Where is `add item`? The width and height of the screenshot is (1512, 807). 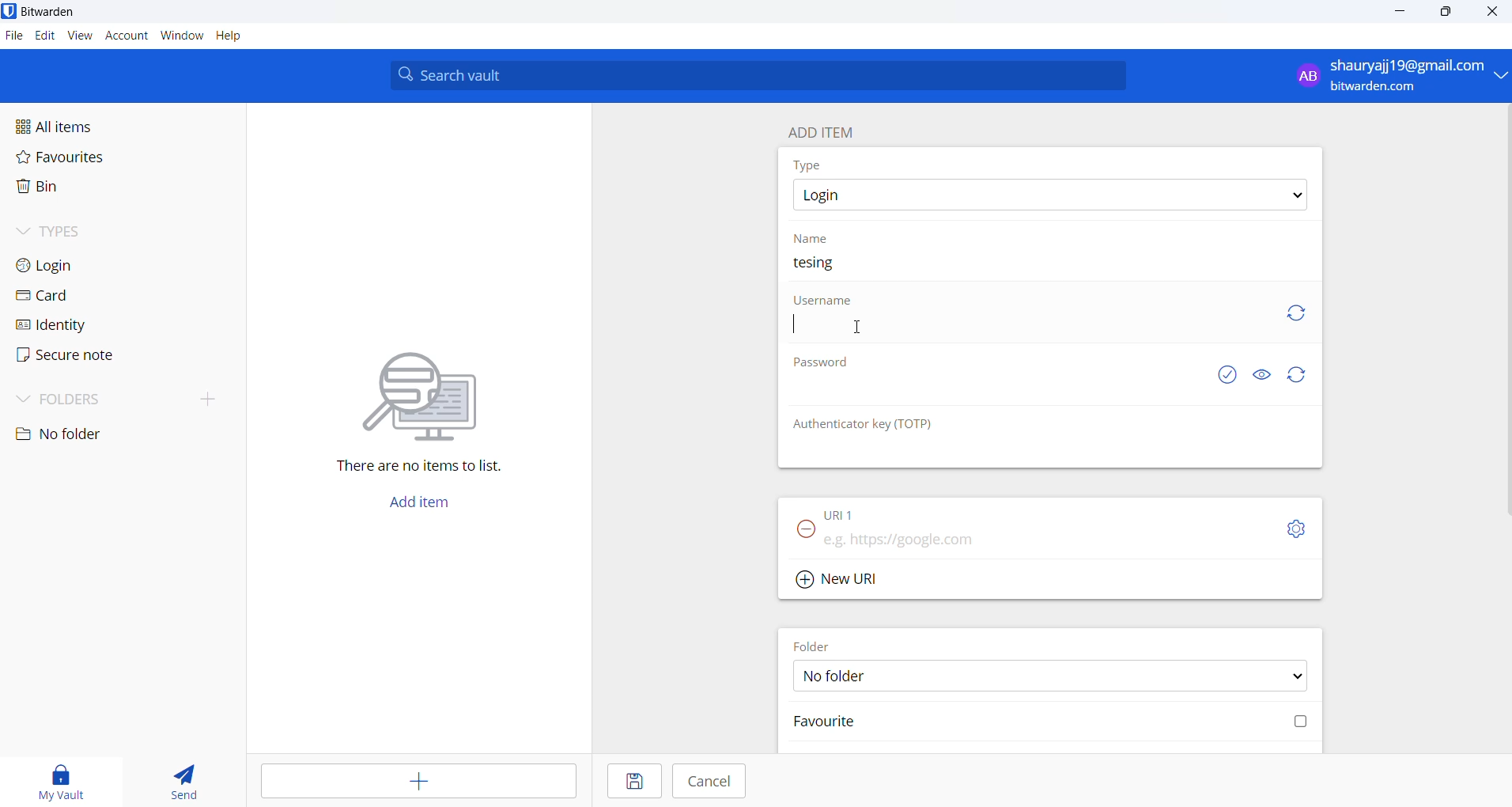
add item is located at coordinates (421, 781).